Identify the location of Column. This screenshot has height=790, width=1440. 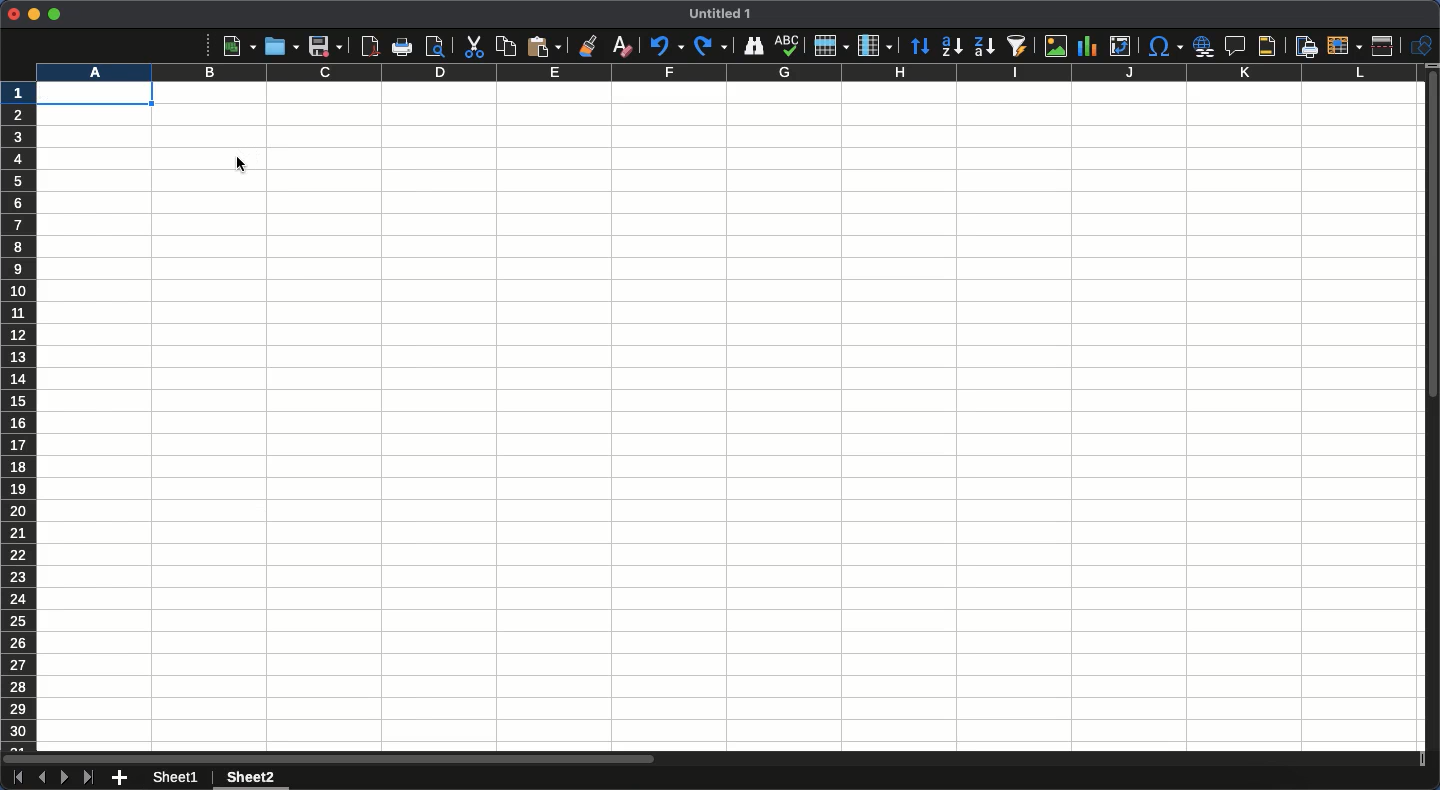
(877, 46).